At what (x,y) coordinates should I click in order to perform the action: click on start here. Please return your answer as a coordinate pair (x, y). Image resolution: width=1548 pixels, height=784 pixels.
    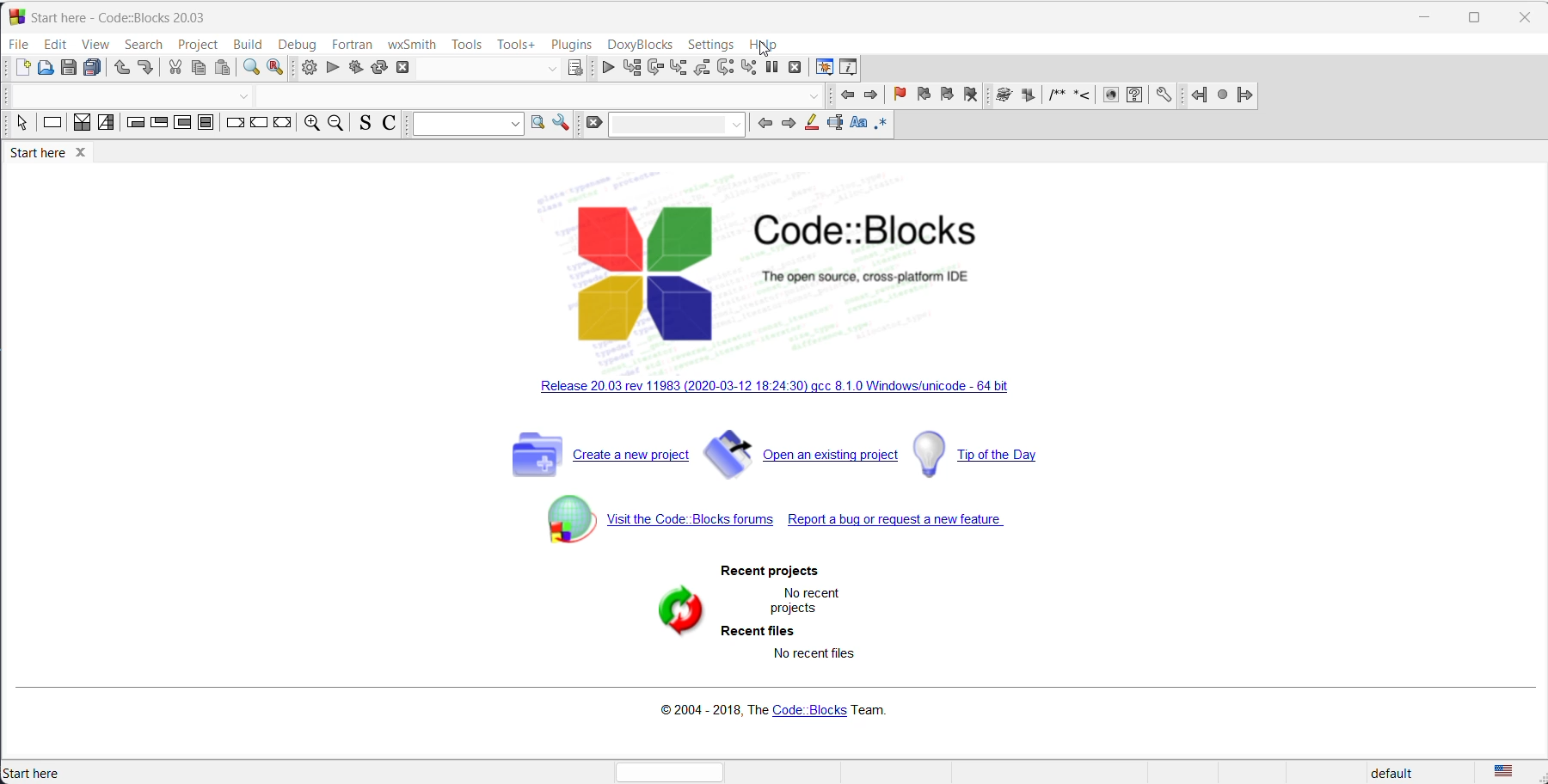
    Looking at the image, I should click on (123, 16).